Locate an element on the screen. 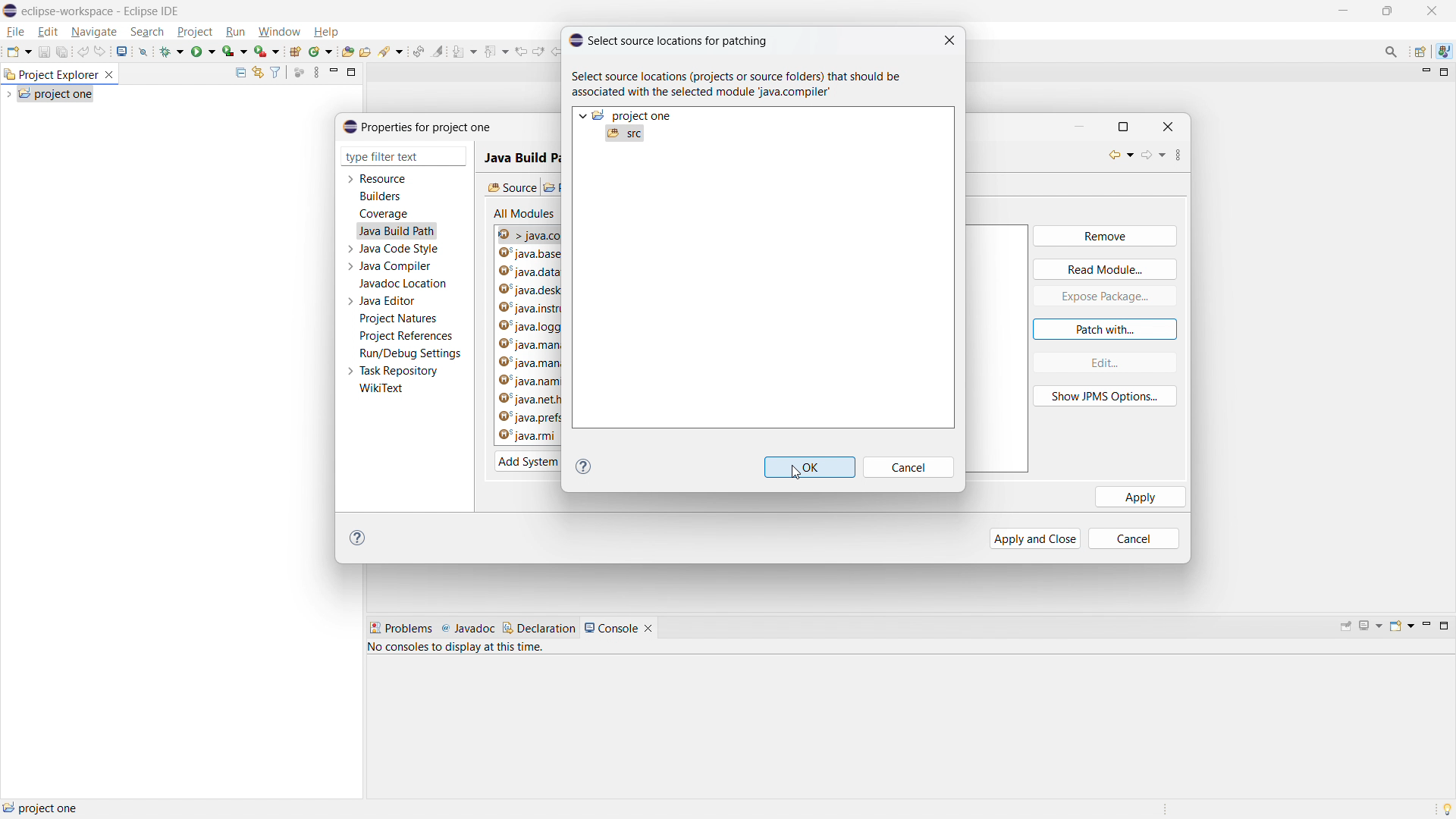 This screenshot has width=1456, height=819. properties for project one is located at coordinates (418, 127).